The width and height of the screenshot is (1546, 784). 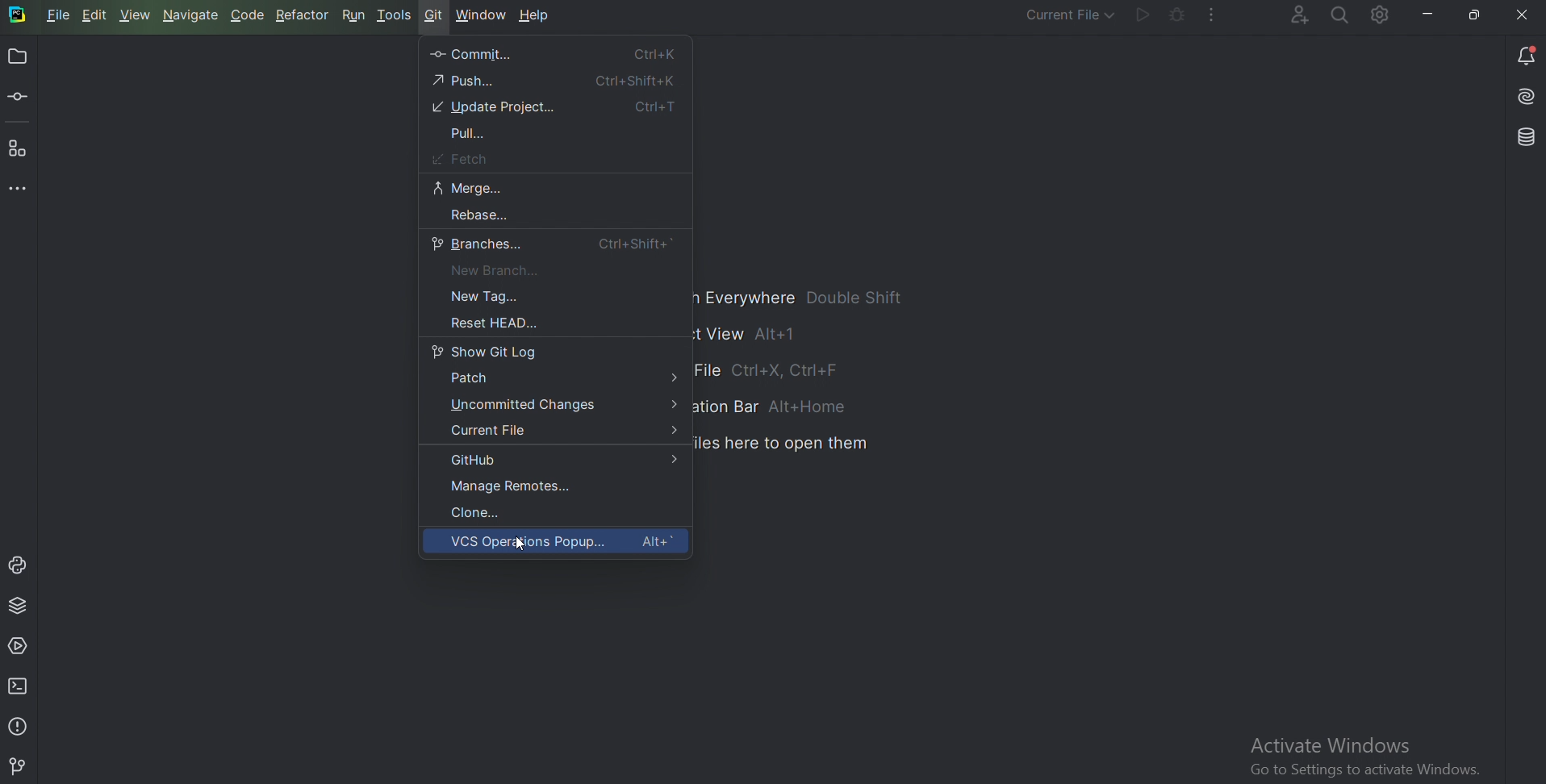 What do you see at coordinates (136, 15) in the screenshot?
I see `View` at bounding box center [136, 15].